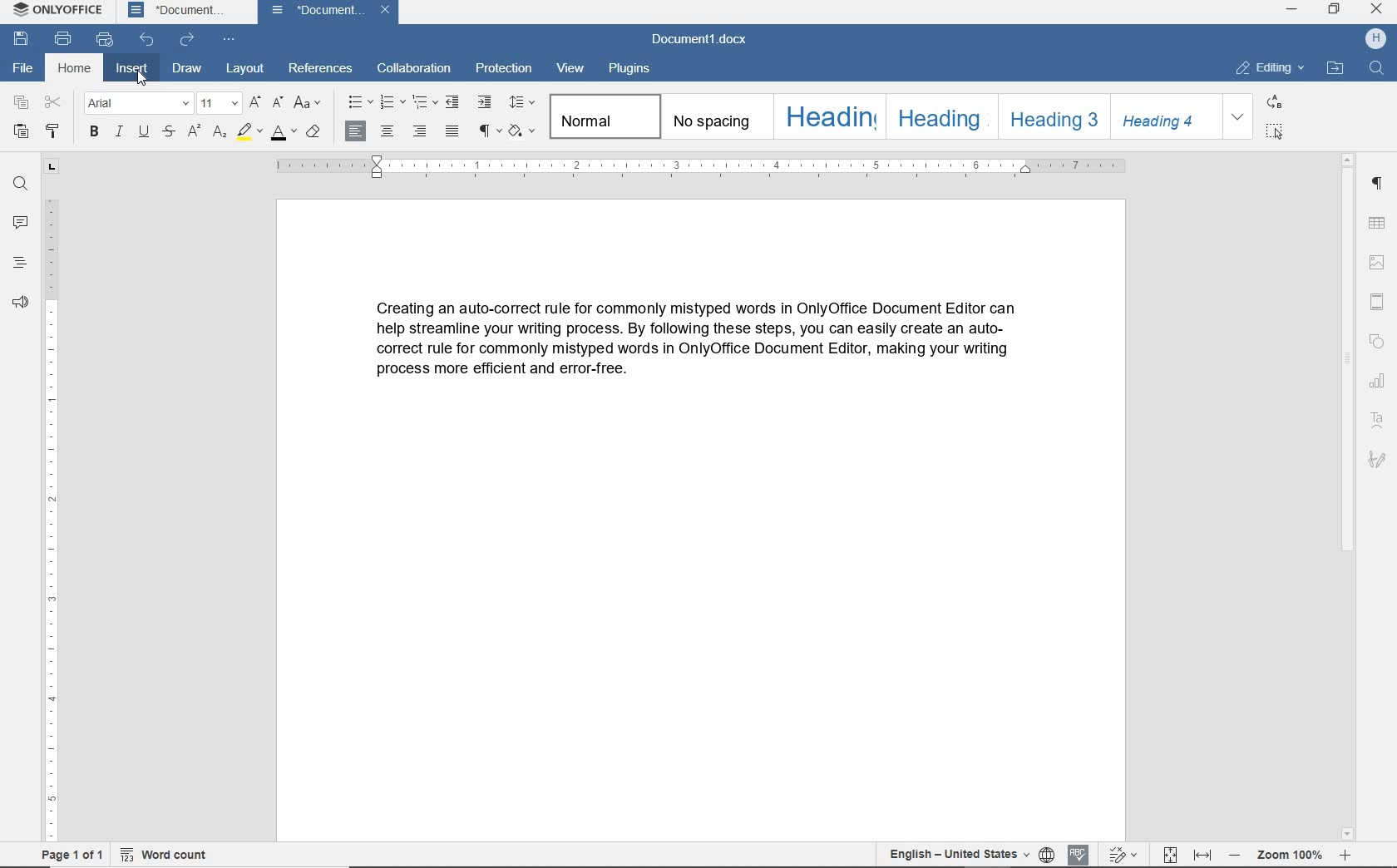 The image size is (1397, 868). I want to click on find, so click(20, 184).